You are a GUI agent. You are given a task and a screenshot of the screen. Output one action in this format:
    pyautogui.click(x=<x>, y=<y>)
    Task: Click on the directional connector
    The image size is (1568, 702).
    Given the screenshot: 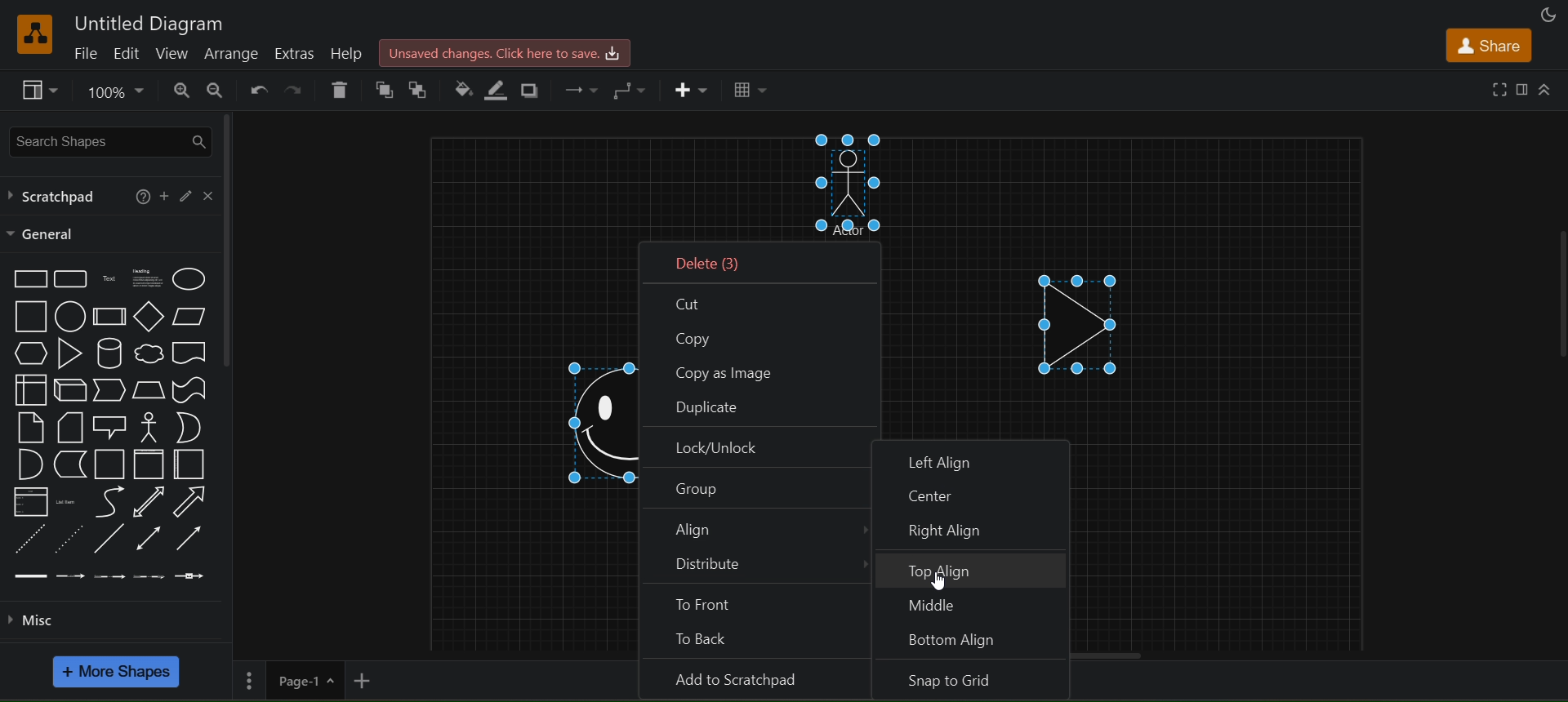 What is the action you would take?
    pyautogui.click(x=193, y=539)
    